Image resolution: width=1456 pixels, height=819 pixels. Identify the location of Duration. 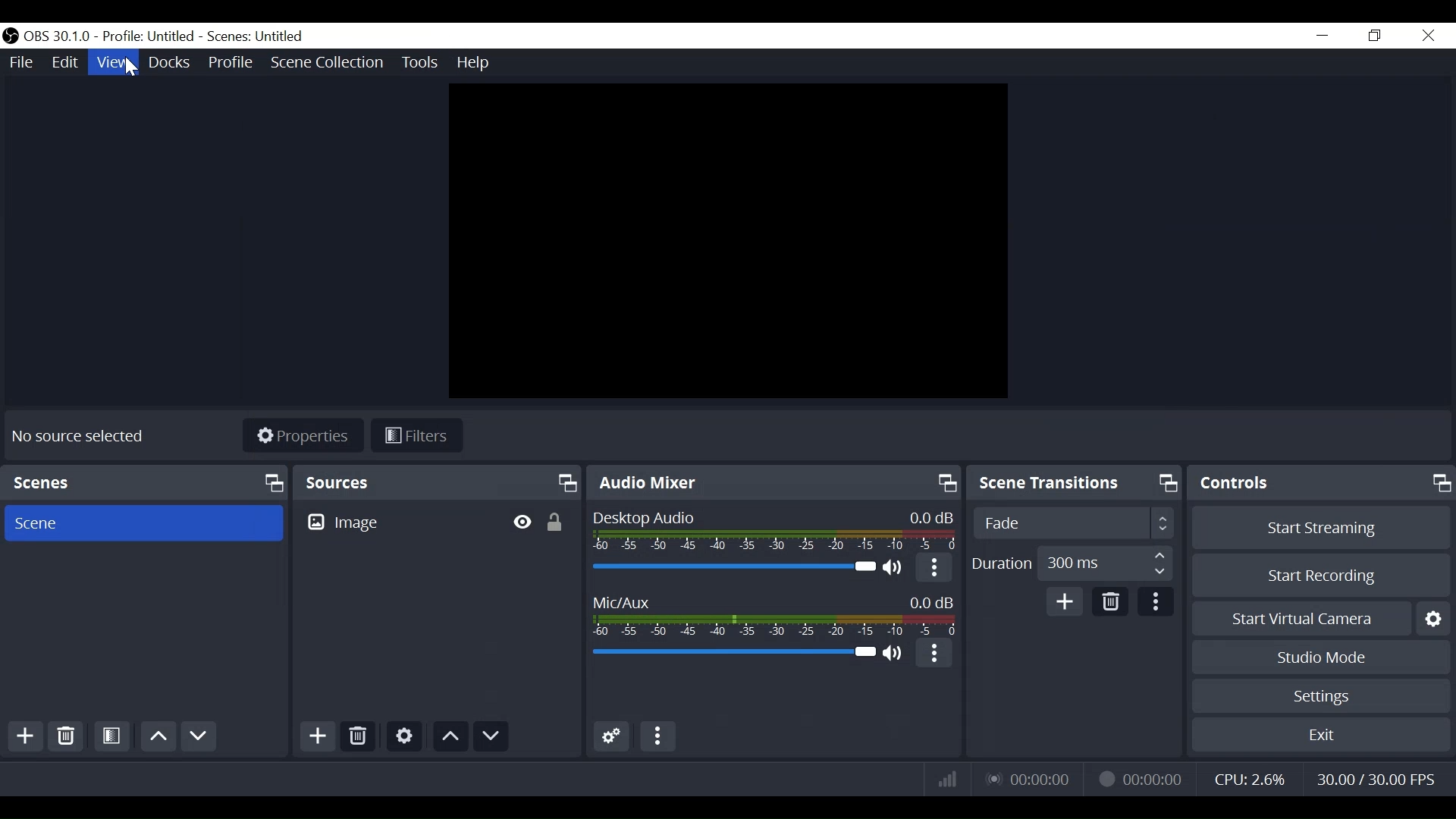
(1071, 566).